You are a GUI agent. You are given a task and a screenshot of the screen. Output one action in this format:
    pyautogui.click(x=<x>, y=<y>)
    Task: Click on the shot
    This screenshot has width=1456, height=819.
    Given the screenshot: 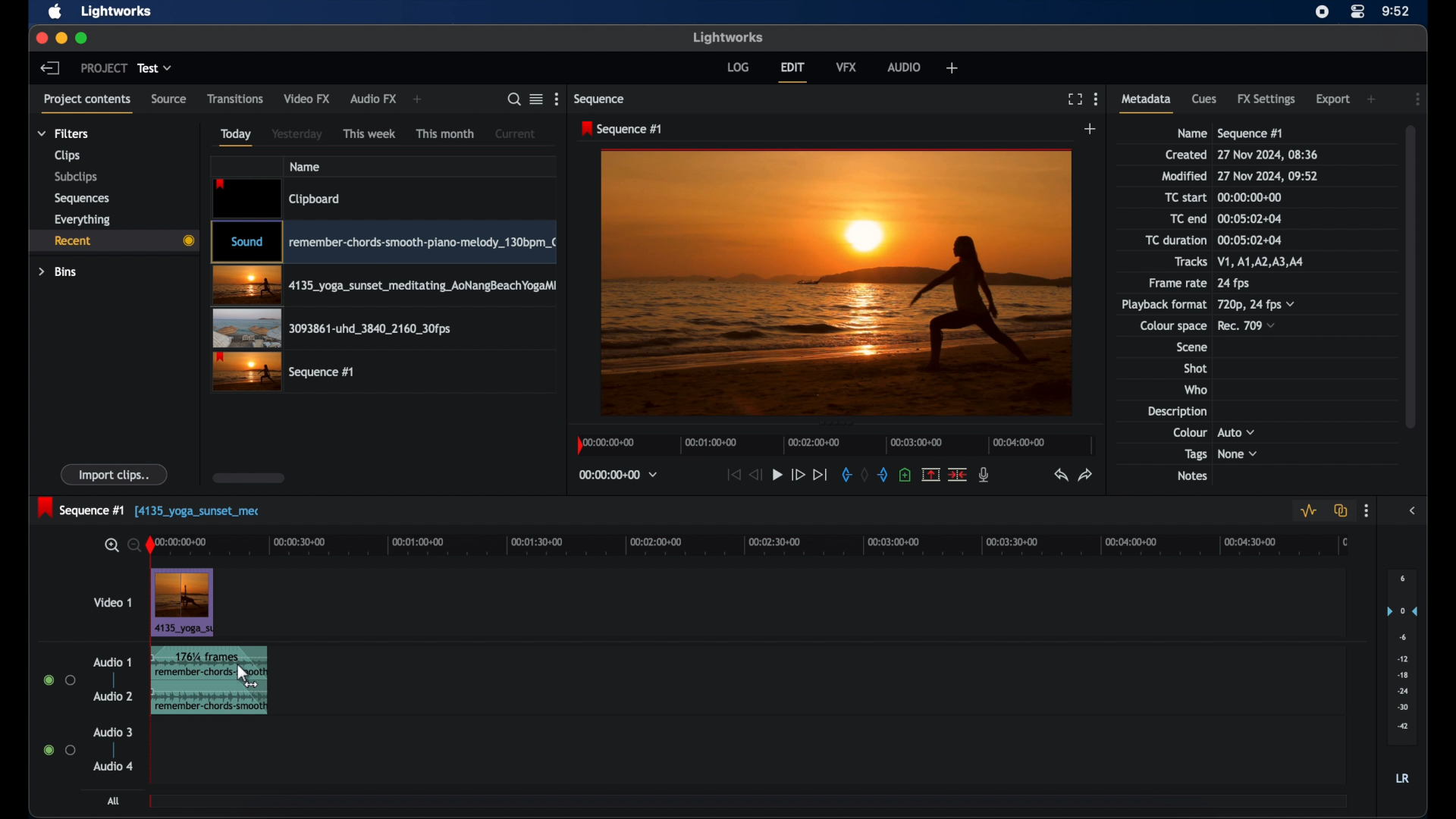 What is the action you would take?
    pyautogui.click(x=1196, y=368)
    